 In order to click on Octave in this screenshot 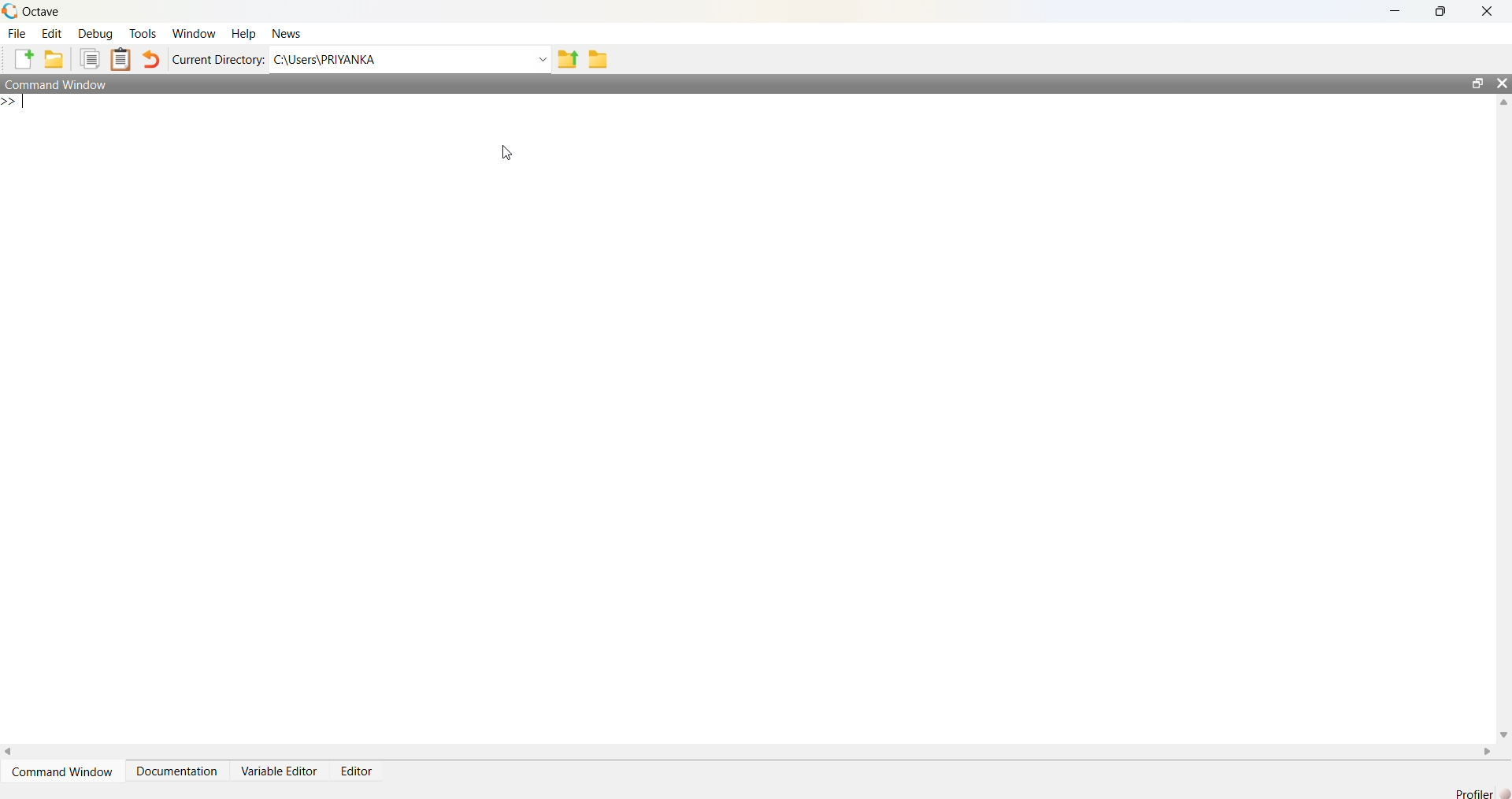, I will do `click(37, 13)`.